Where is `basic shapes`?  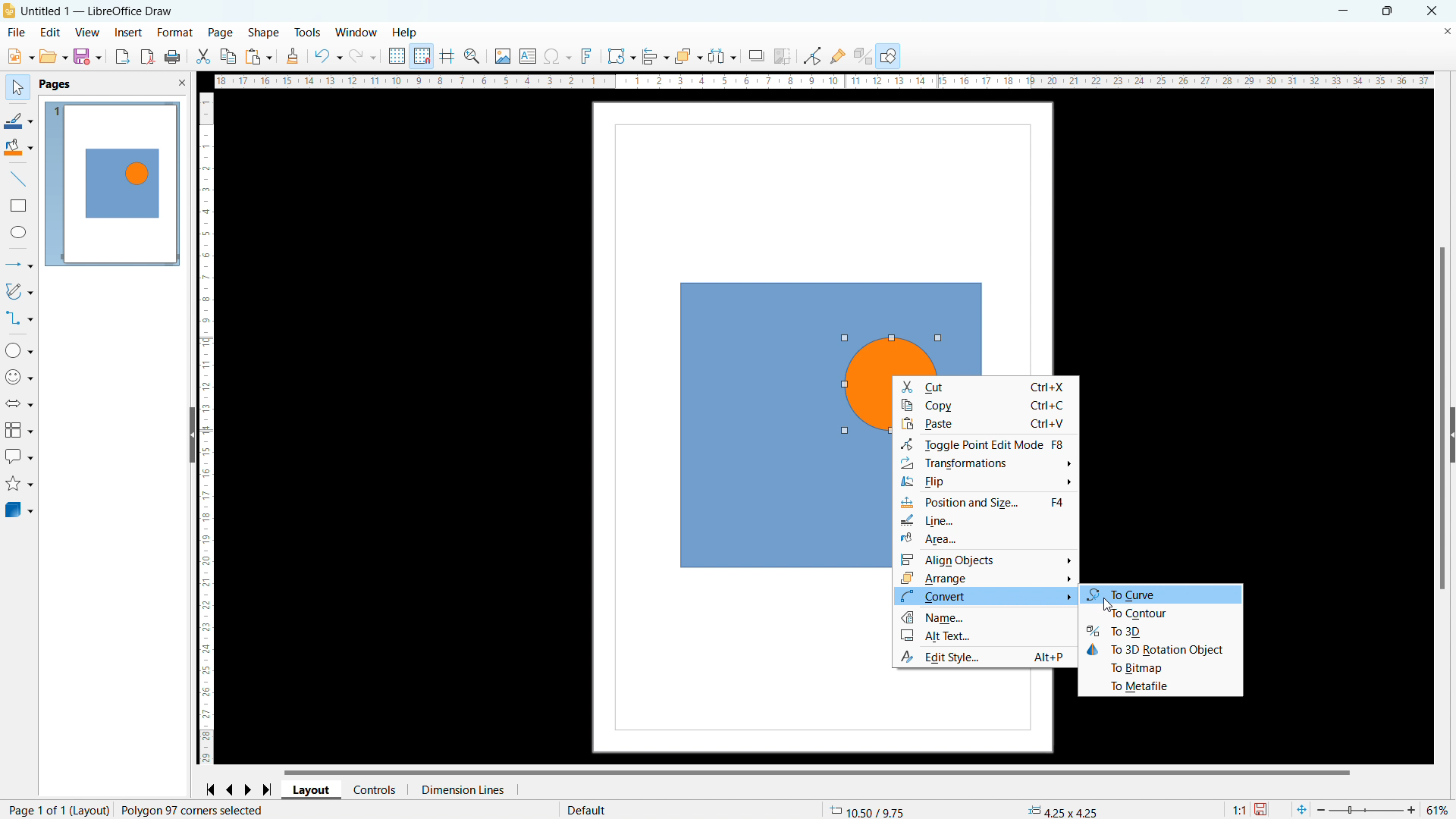 basic shapes is located at coordinates (19, 350).